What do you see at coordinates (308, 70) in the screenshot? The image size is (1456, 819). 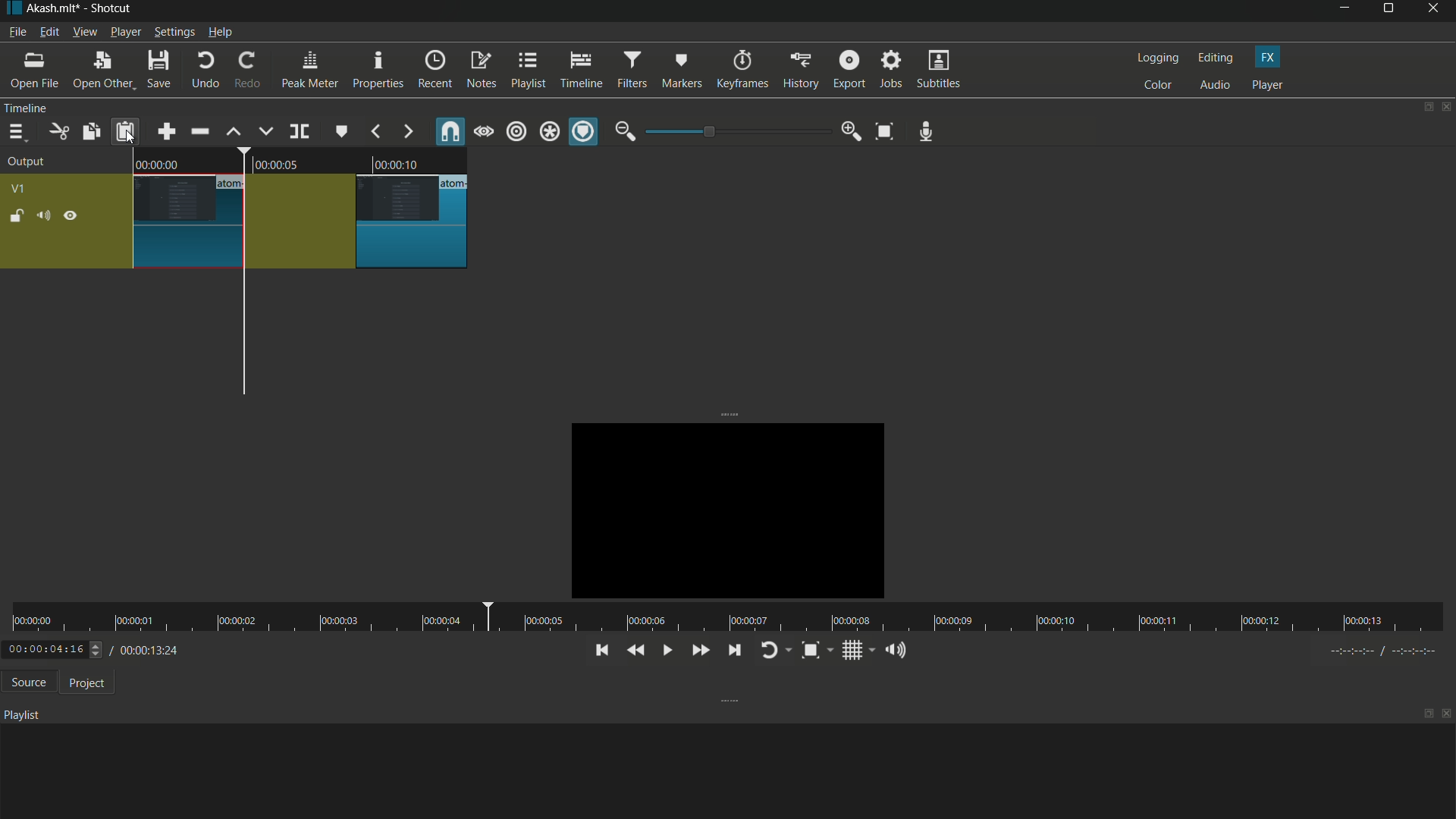 I see `peak meter` at bounding box center [308, 70].